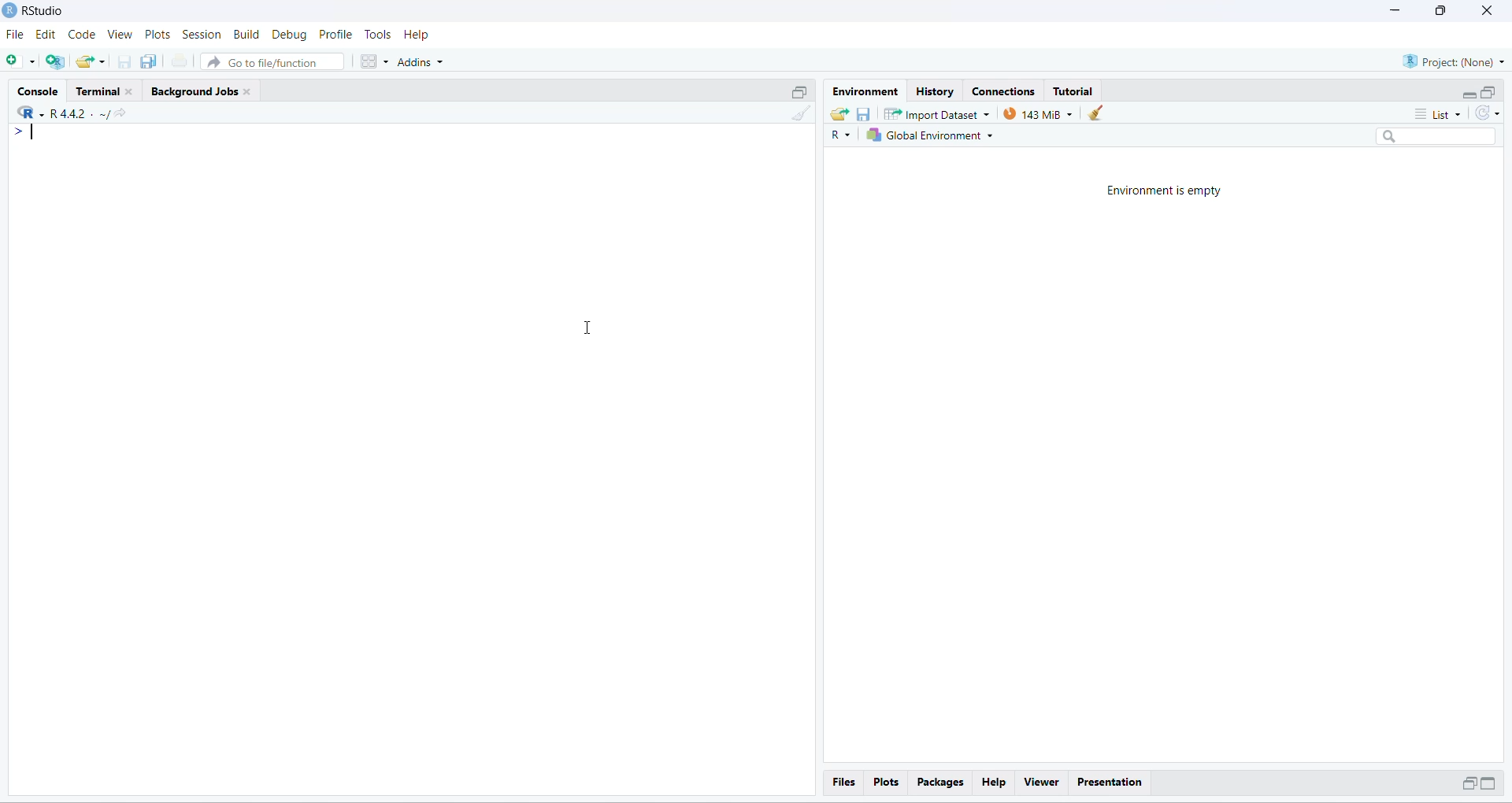 This screenshot has width=1512, height=803. Describe the element at coordinates (83, 35) in the screenshot. I see `code` at that location.